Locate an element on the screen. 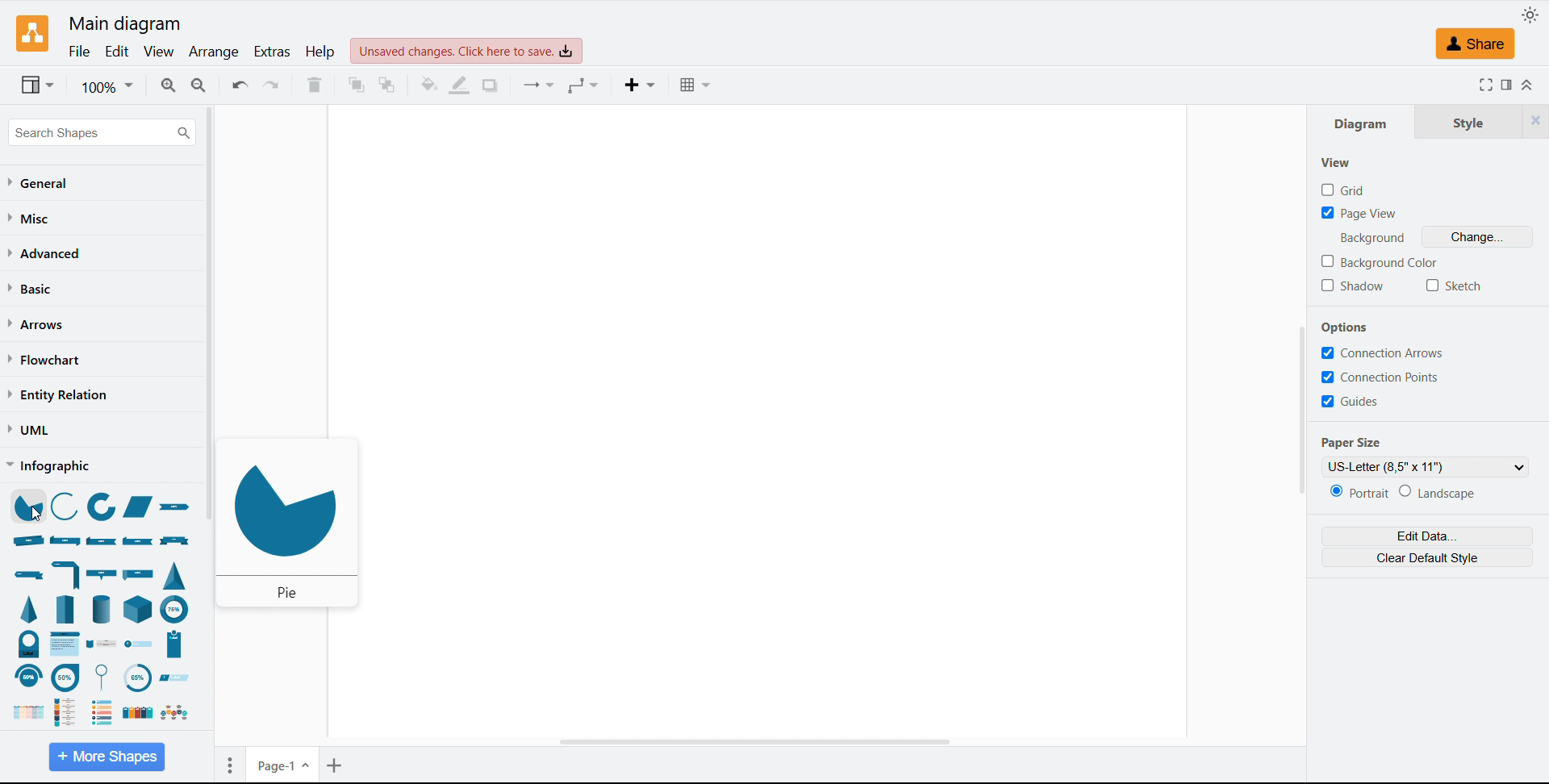  US letter (8.5''x11'') is located at coordinates (1426, 467).